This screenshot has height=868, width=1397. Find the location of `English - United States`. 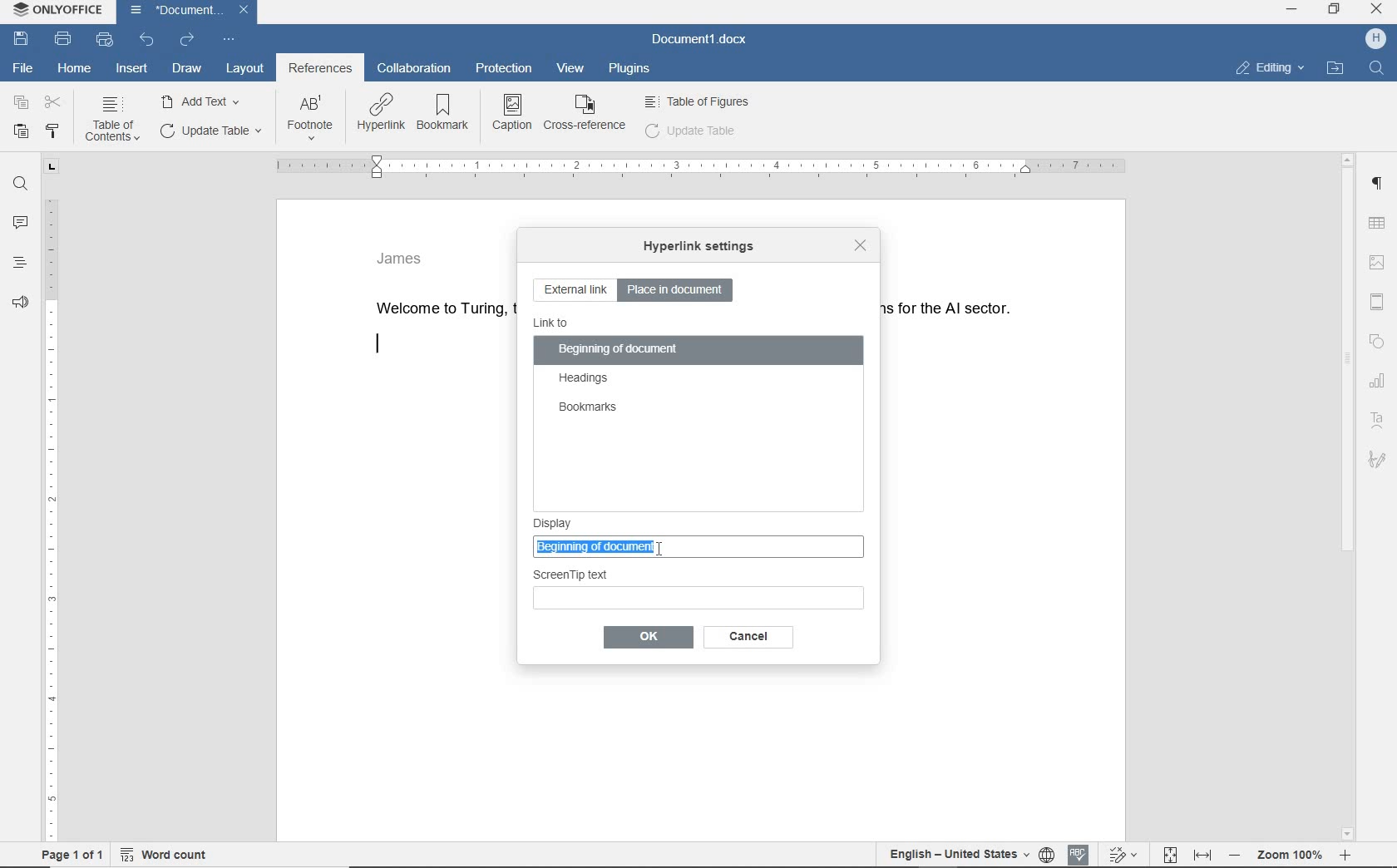

English - United States is located at coordinates (949, 856).